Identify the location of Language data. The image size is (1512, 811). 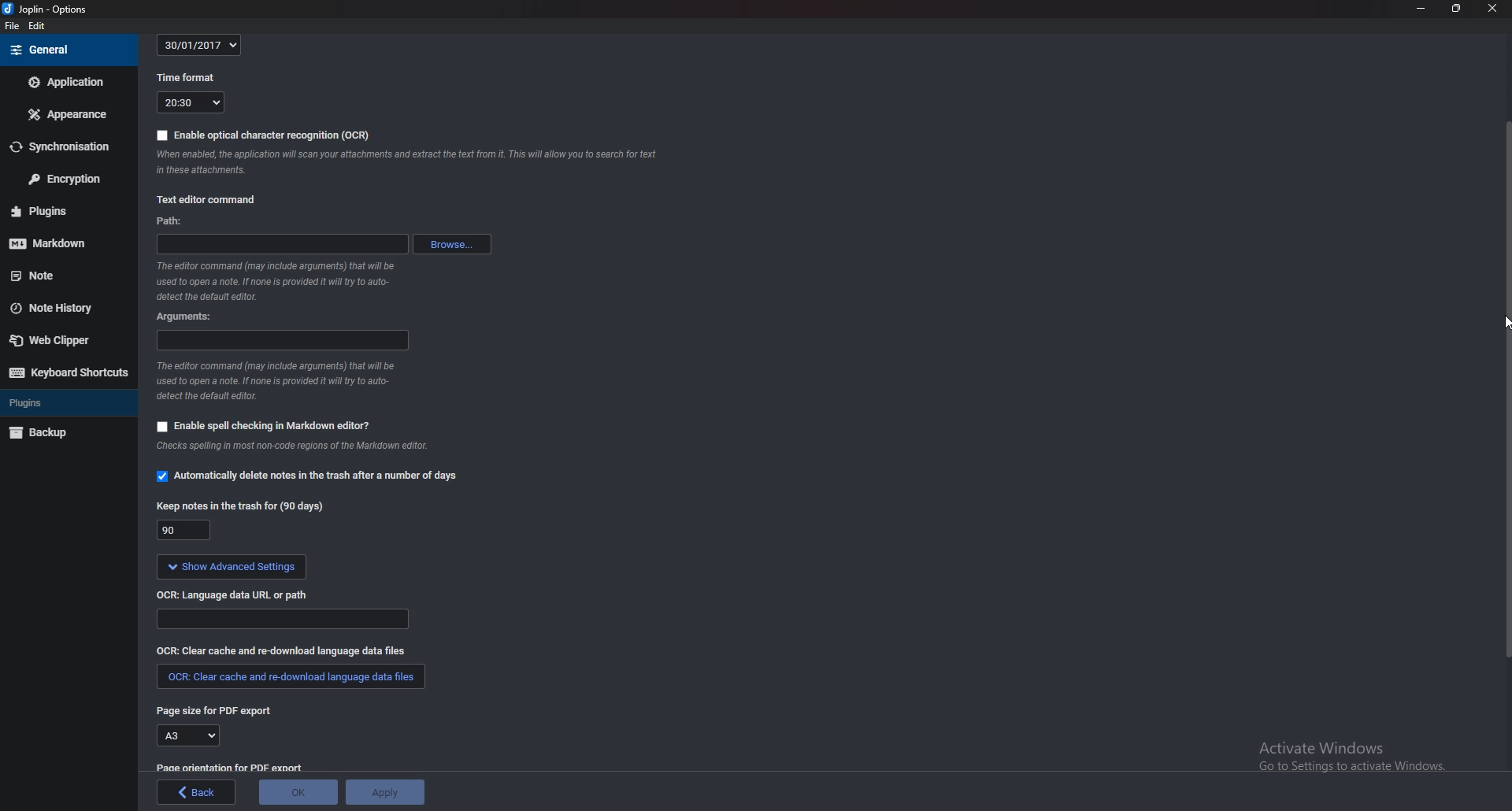
(284, 620).